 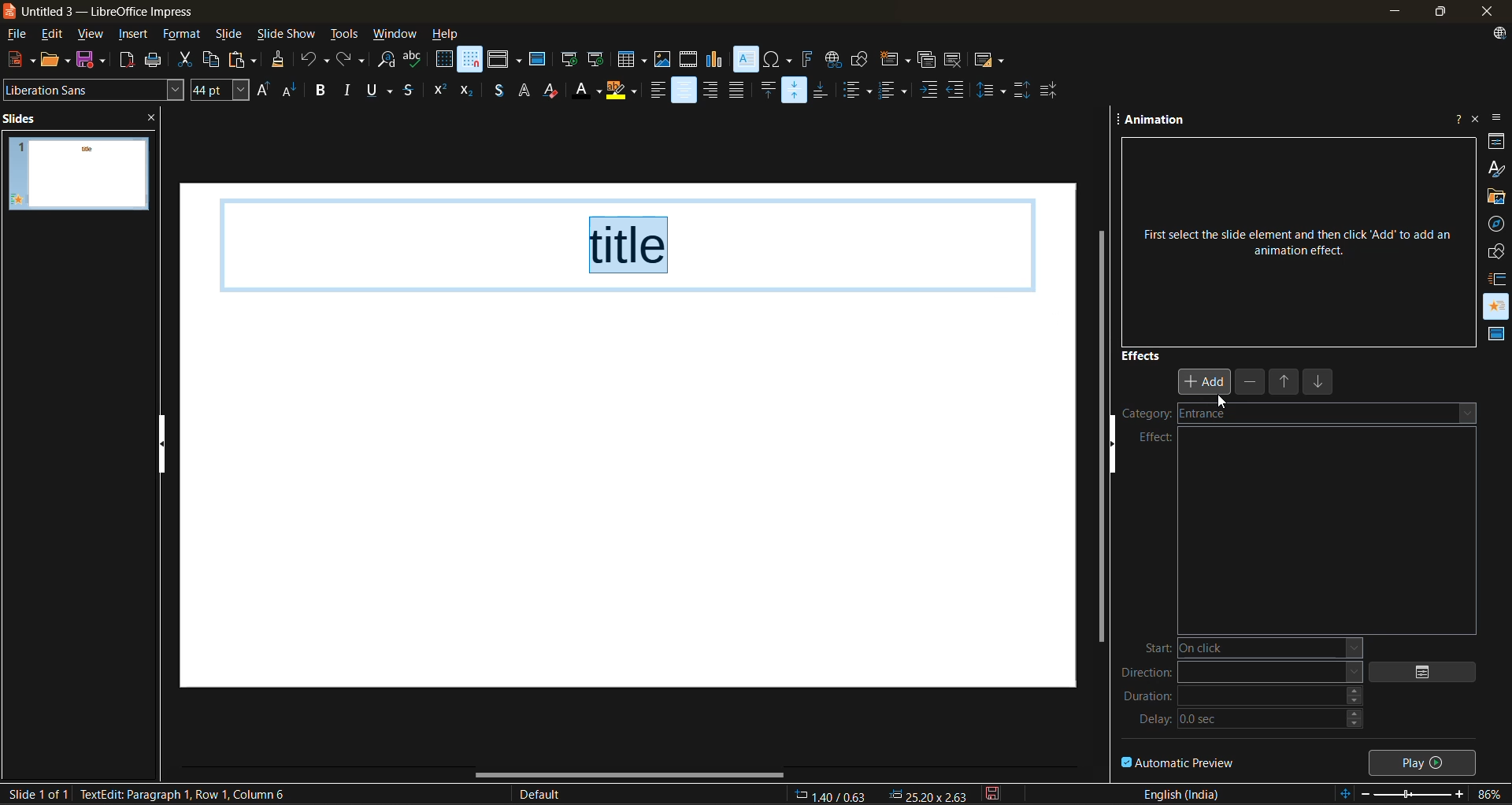 I want to click on character highlighting color, so click(x=623, y=91).